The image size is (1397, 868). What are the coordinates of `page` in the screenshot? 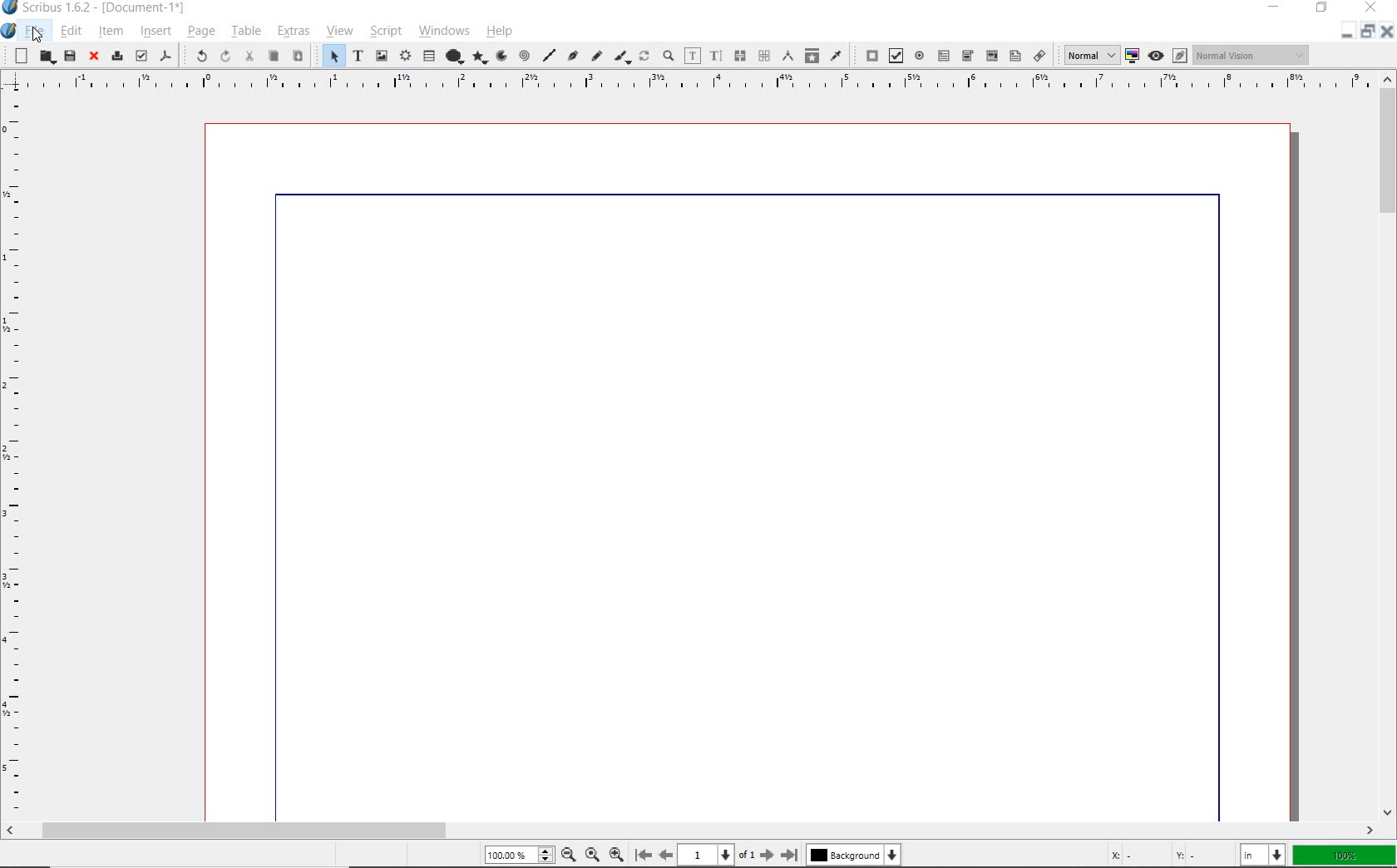 It's located at (200, 32).